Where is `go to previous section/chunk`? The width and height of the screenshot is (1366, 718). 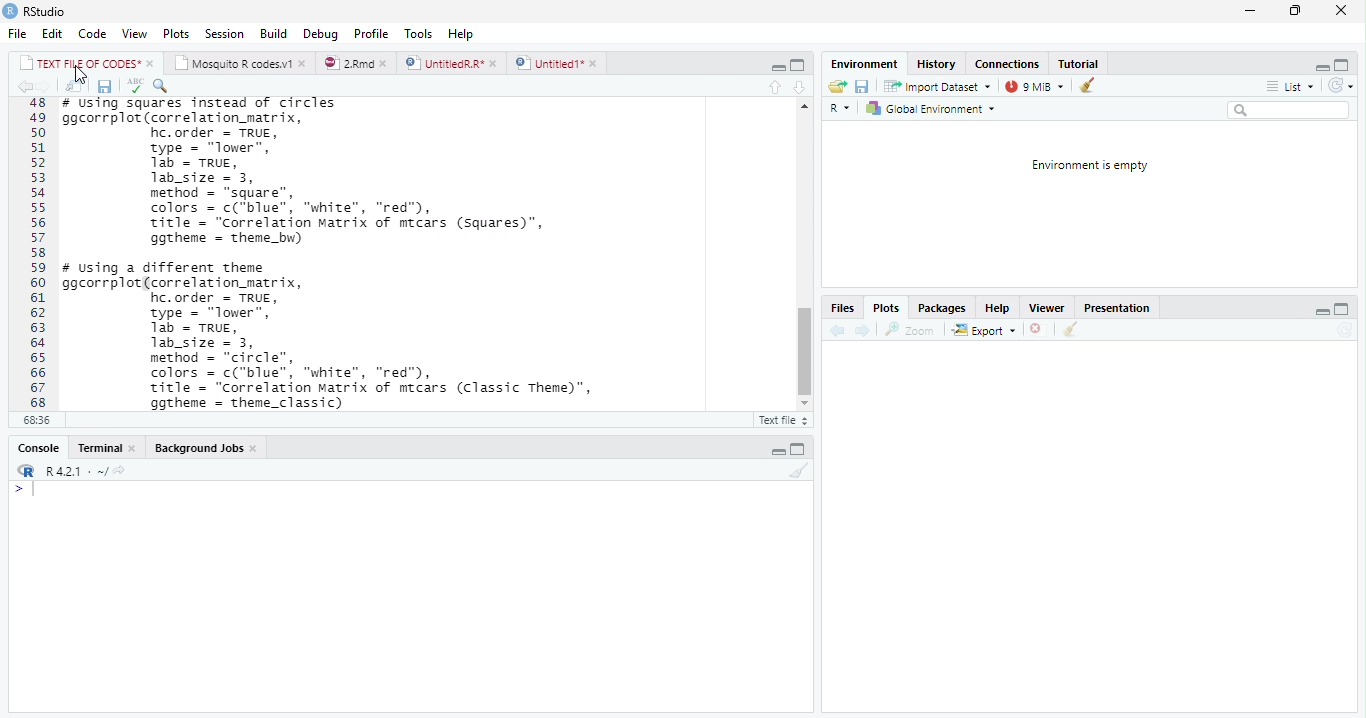
go to previous section/chunk is located at coordinates (771, 87).